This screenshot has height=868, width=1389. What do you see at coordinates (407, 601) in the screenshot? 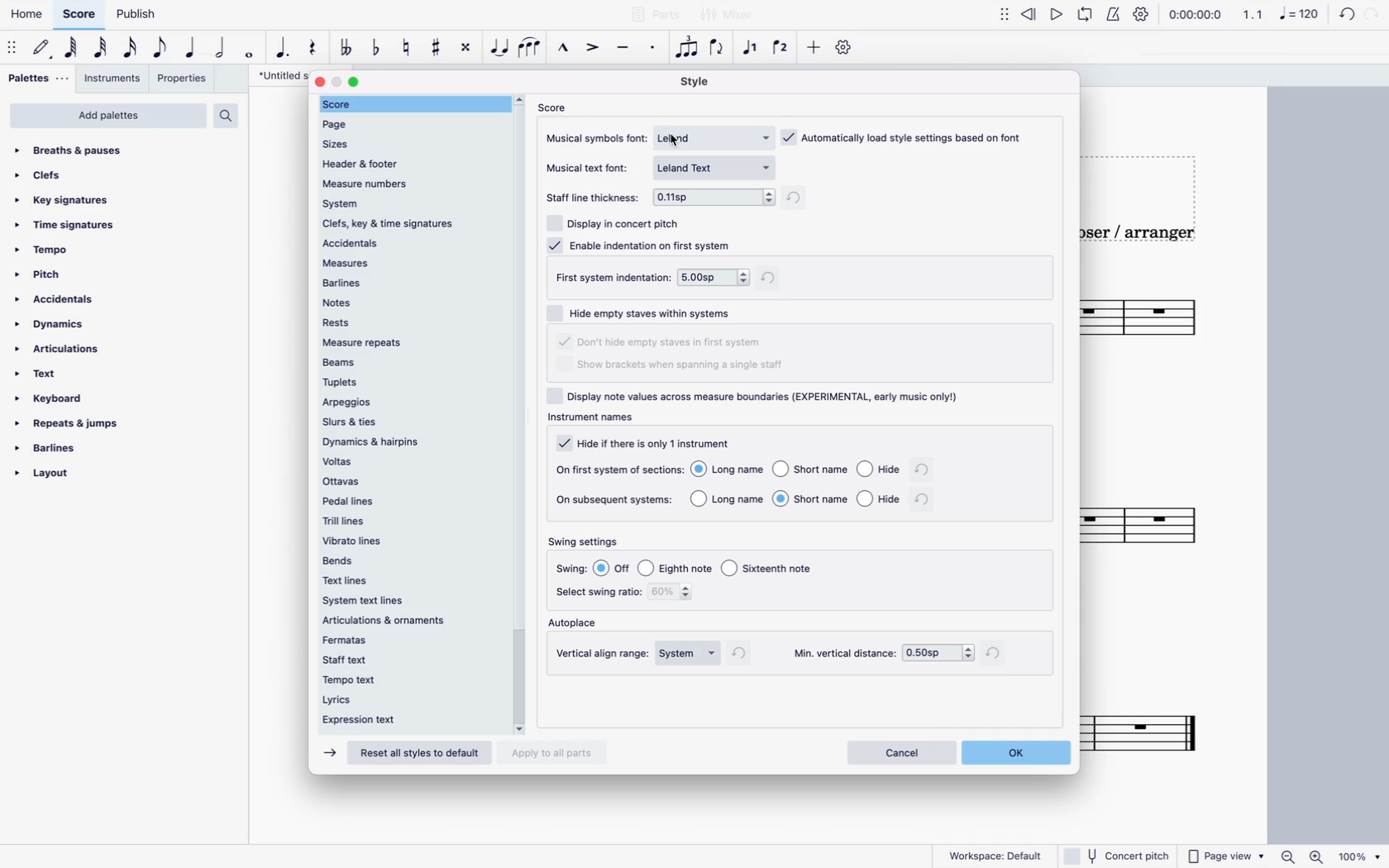
I see `system text lines` at bounding box center [407, 601].